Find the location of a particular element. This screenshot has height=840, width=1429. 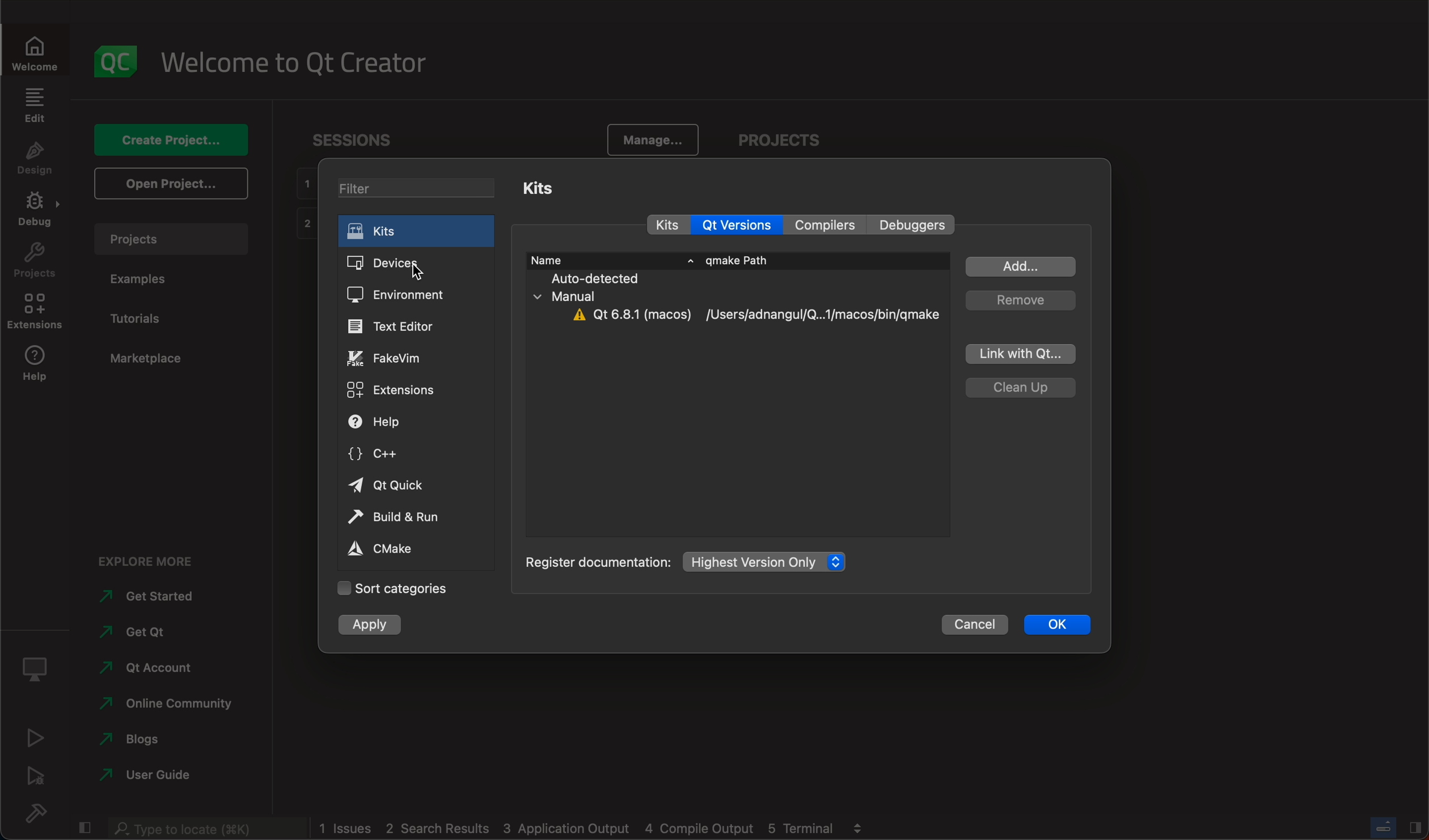

get qt is located at coordinates (164, 633).